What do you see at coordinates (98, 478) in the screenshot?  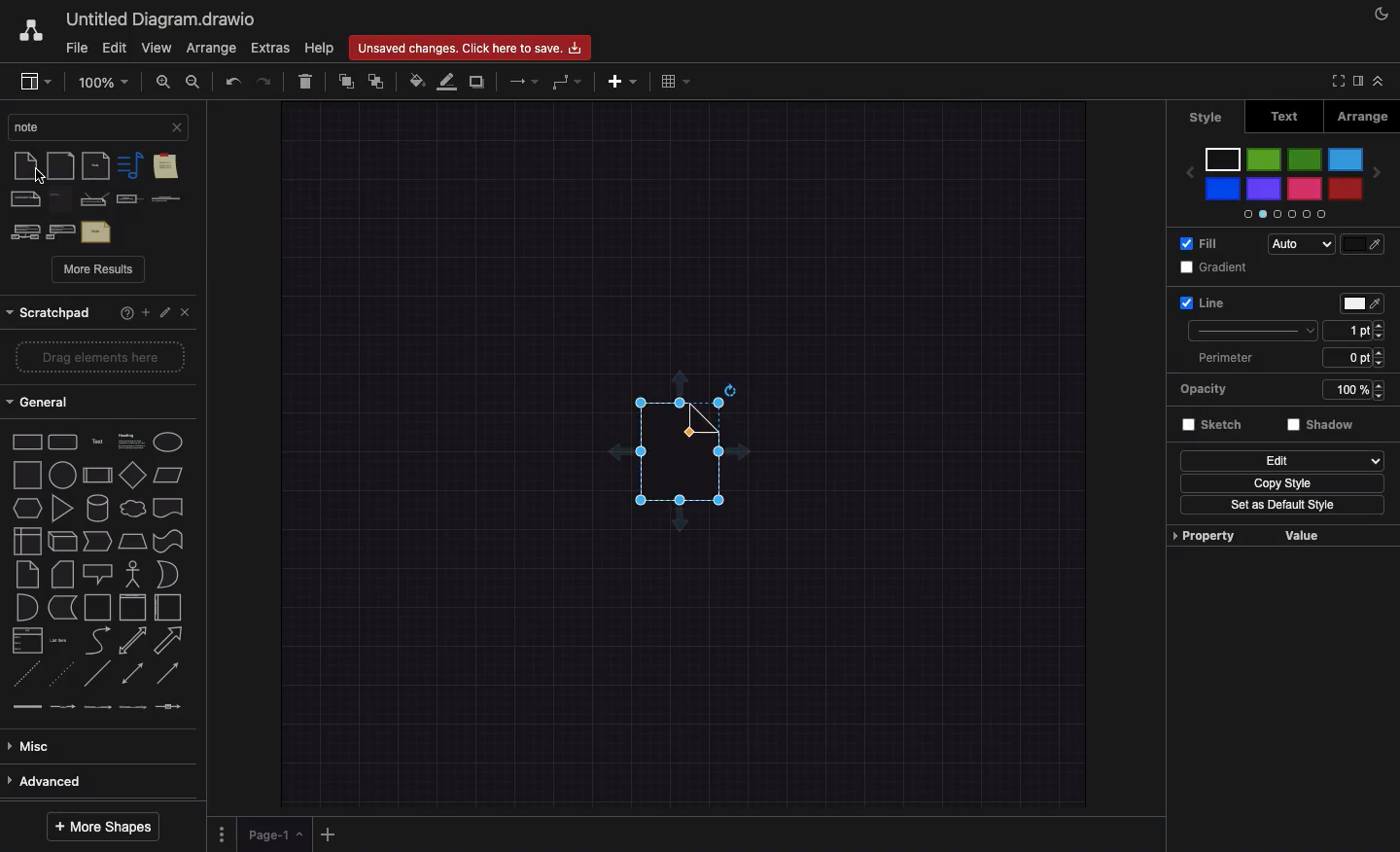 I see `diamond` at bounding box center [98, 478].